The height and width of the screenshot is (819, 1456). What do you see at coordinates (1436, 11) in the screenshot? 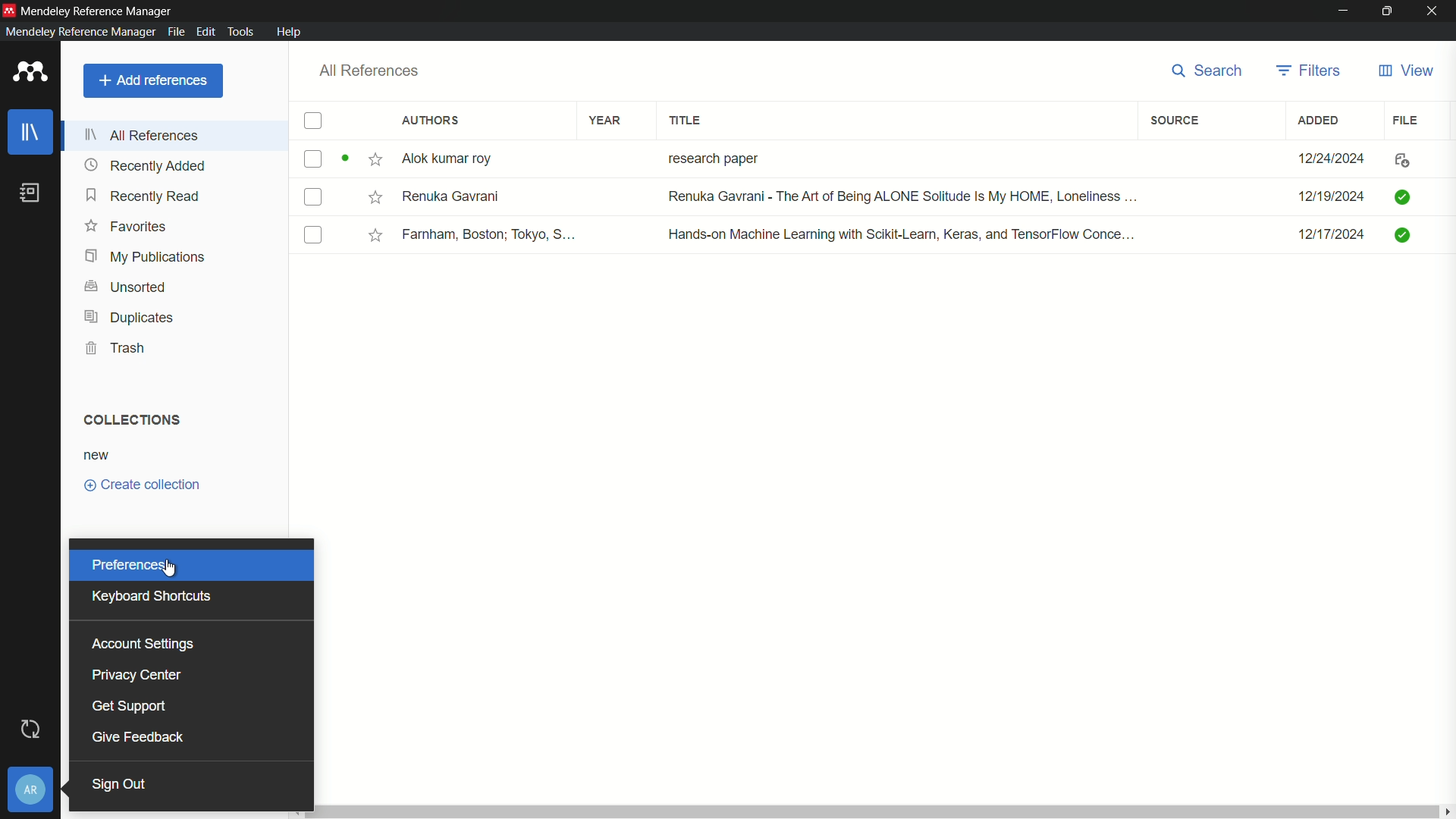
I see `close app` at bounding box center [1436, 11].